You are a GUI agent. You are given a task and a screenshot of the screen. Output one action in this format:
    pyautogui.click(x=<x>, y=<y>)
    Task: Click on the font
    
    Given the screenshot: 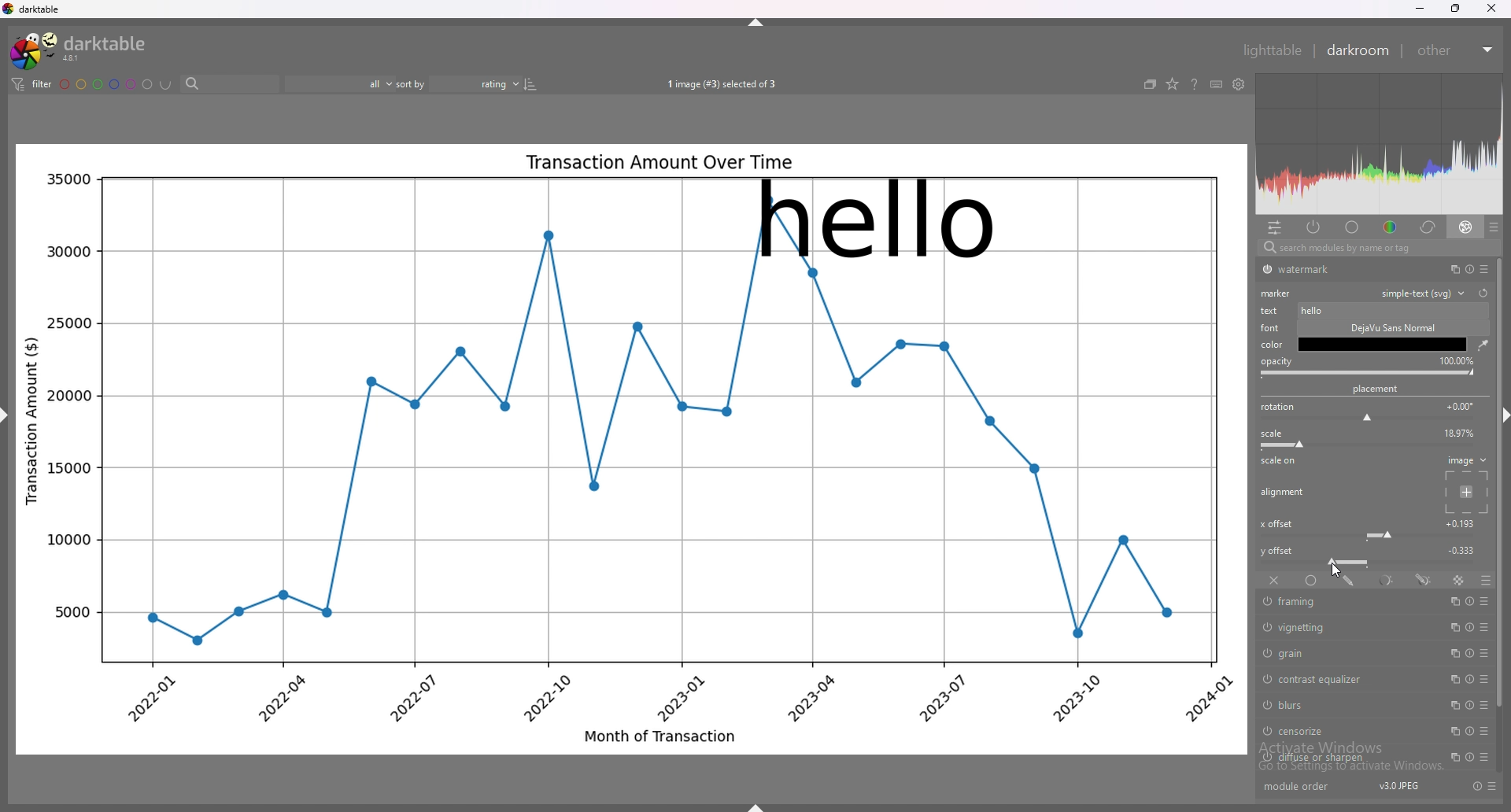 What is the action you would take?
    pyautogui.click(x=1272, y=328)
    